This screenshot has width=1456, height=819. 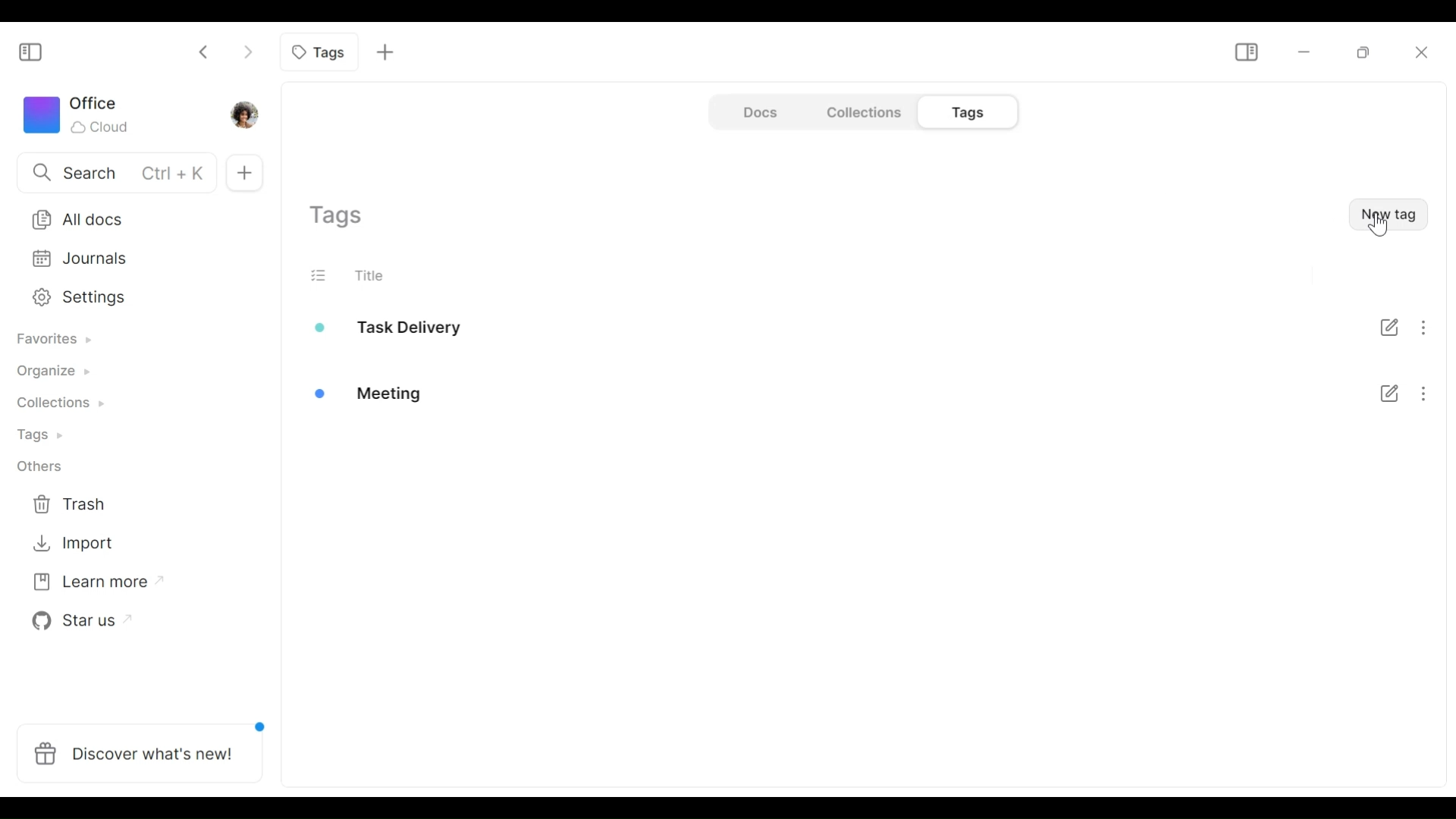 What do you see at coordinates (409, 388) in the screenshot?
I see `Meeting` at bounding box center [409, 388].